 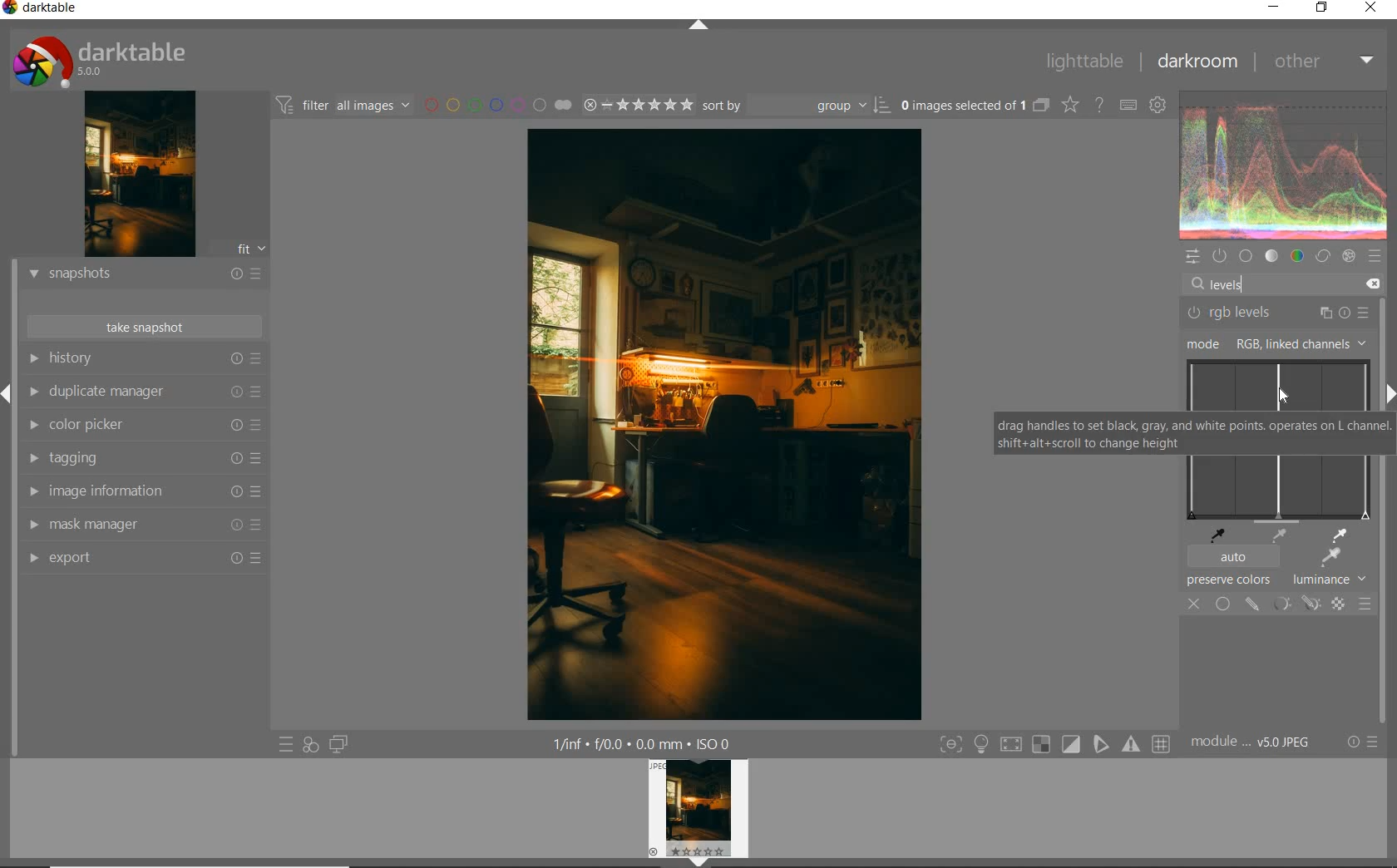 I want to click on apply auto levels based on region, so click(x=1329, y=558).